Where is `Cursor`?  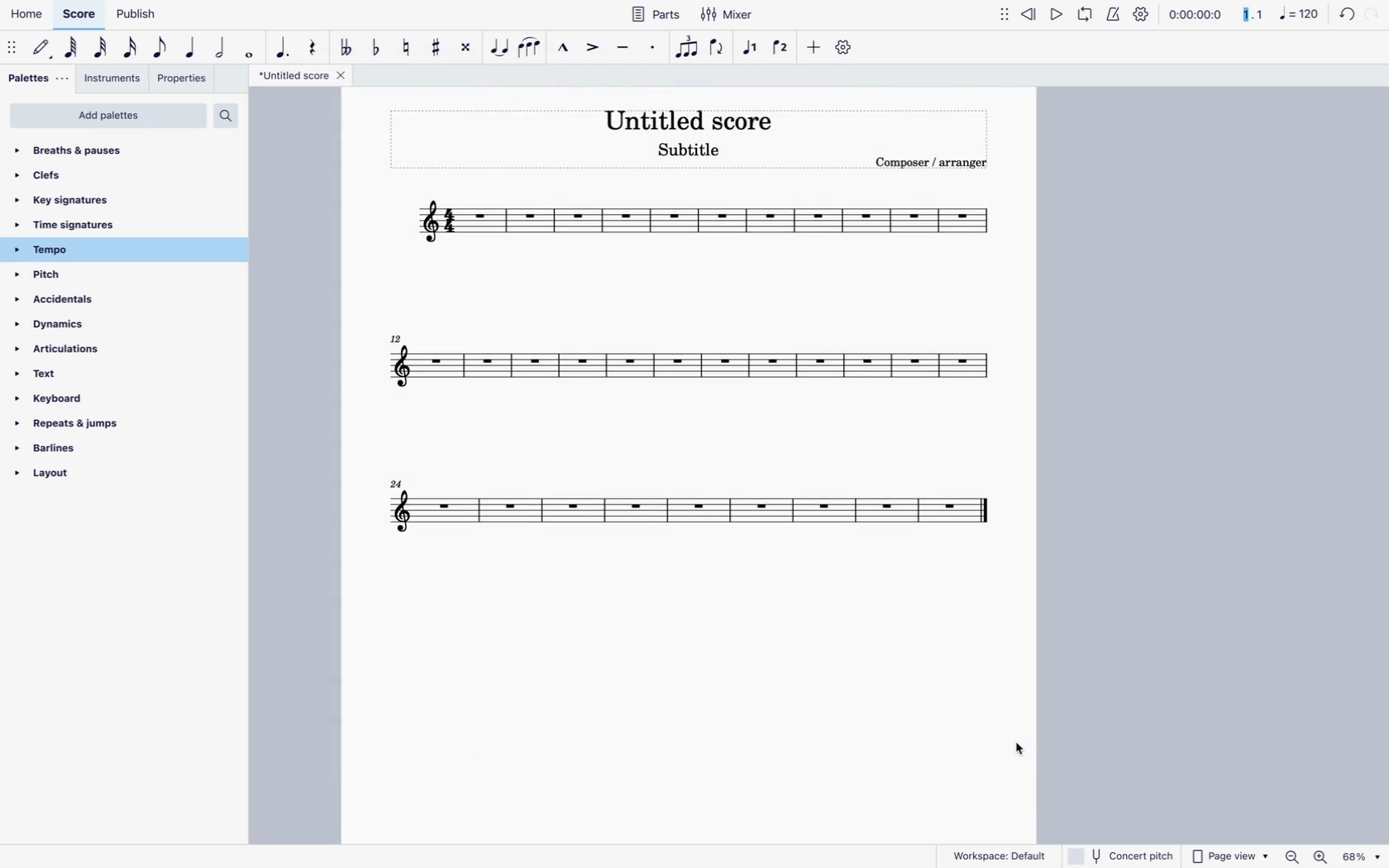 Cursor is located at coordinates (1014, 748).